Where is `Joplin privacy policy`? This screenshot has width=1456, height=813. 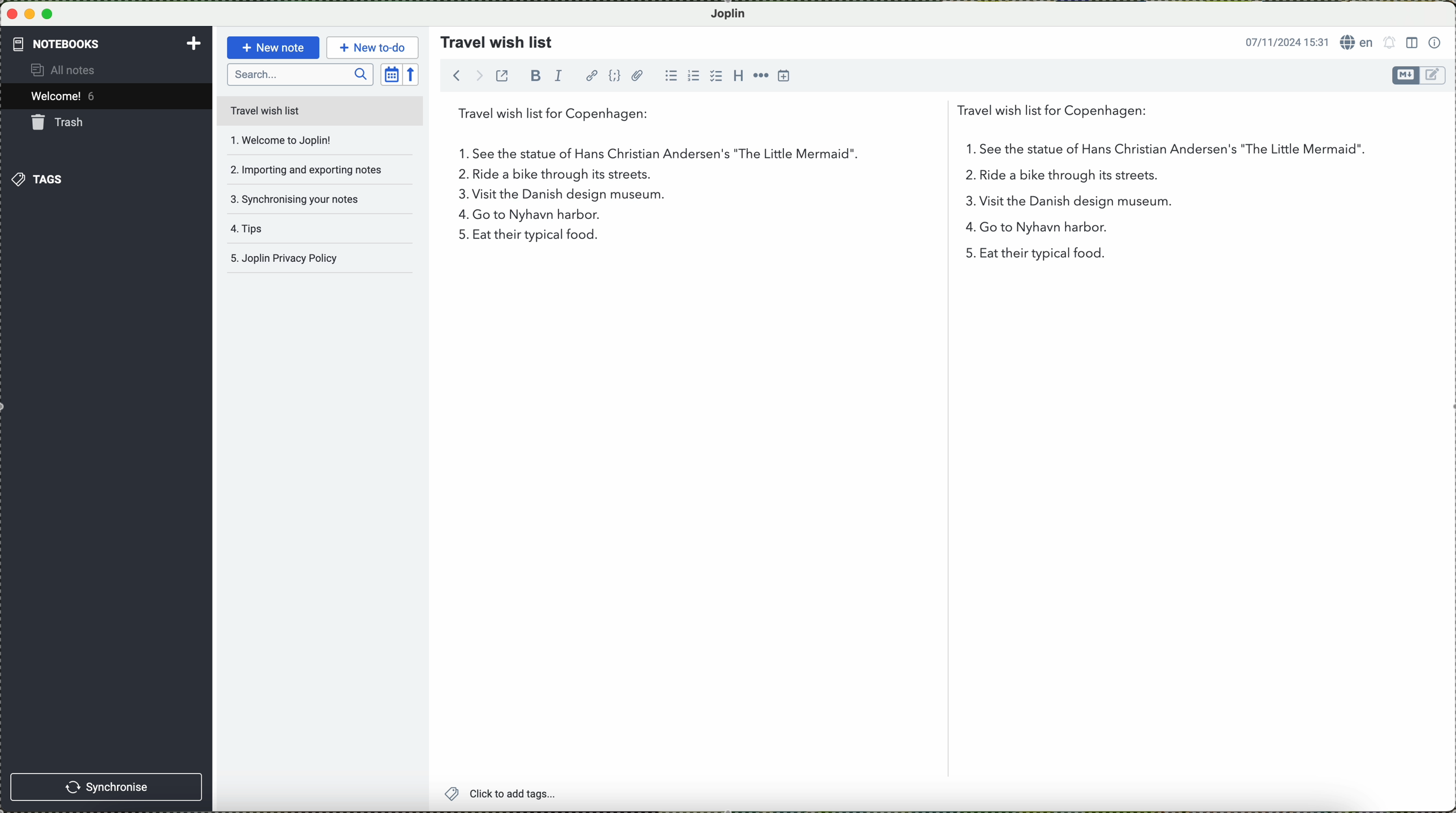 Joplin privacy policy is located at coordinates (317, 261).